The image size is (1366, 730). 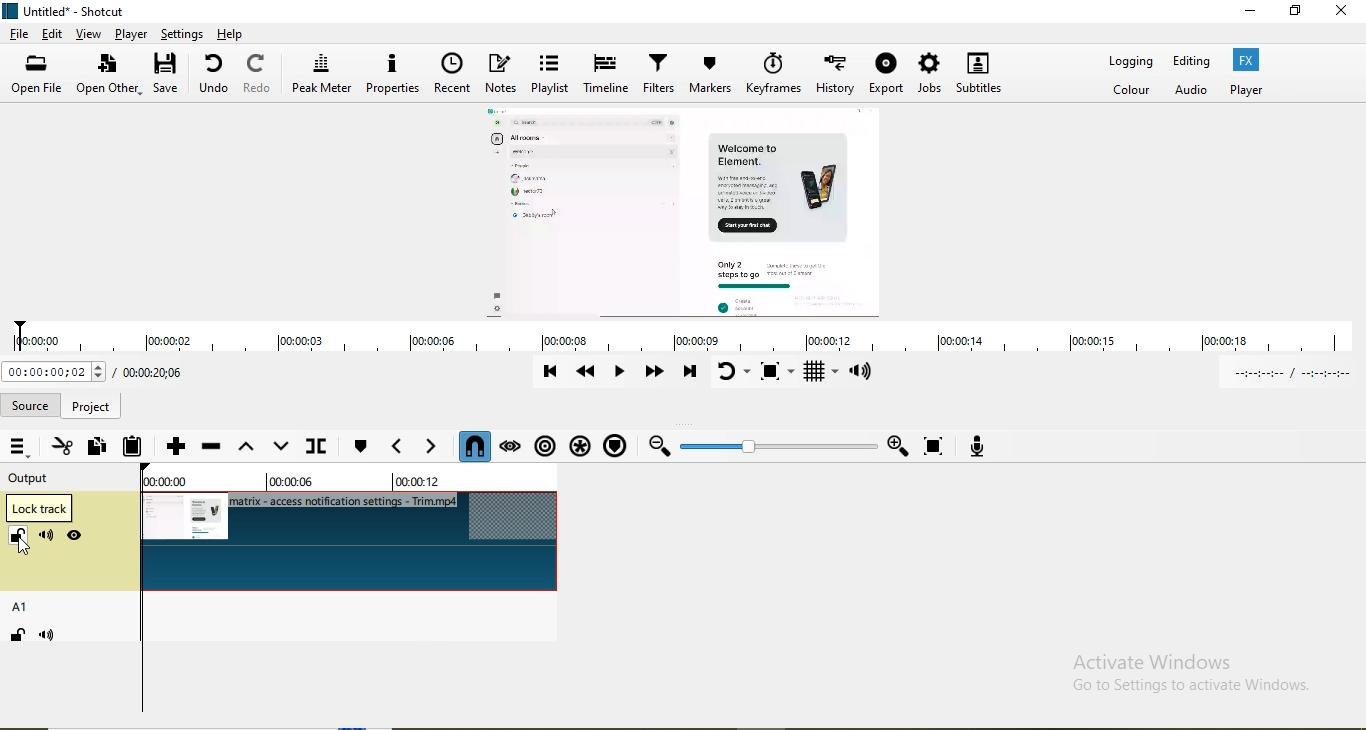 I want to click on Player, so click(x=130, y=33).